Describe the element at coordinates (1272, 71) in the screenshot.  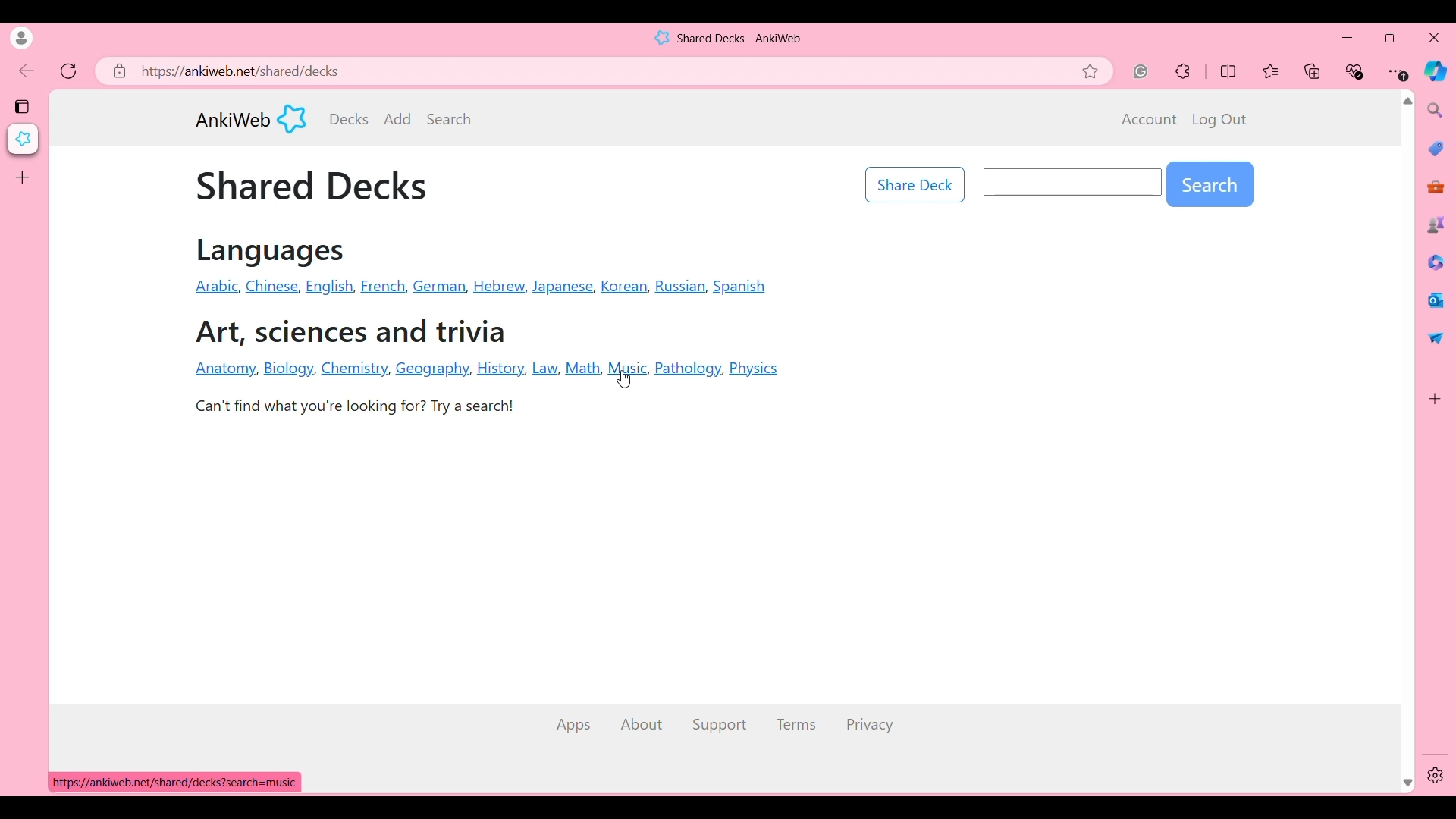
I see `Favorites` at that location.